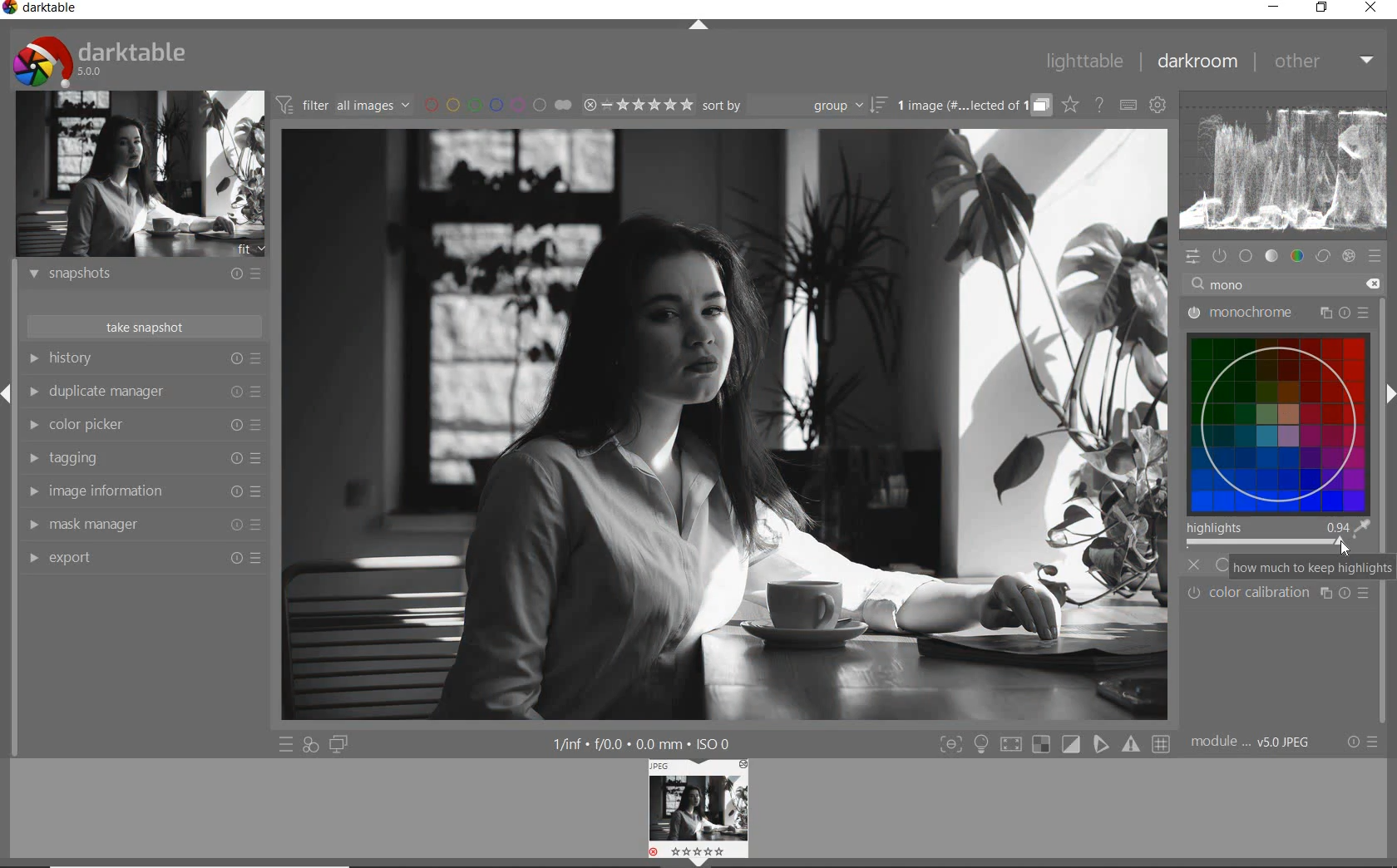  Describe the element at coordinates (1282, 308) in the screenshot. I see `monochrome` at that location.